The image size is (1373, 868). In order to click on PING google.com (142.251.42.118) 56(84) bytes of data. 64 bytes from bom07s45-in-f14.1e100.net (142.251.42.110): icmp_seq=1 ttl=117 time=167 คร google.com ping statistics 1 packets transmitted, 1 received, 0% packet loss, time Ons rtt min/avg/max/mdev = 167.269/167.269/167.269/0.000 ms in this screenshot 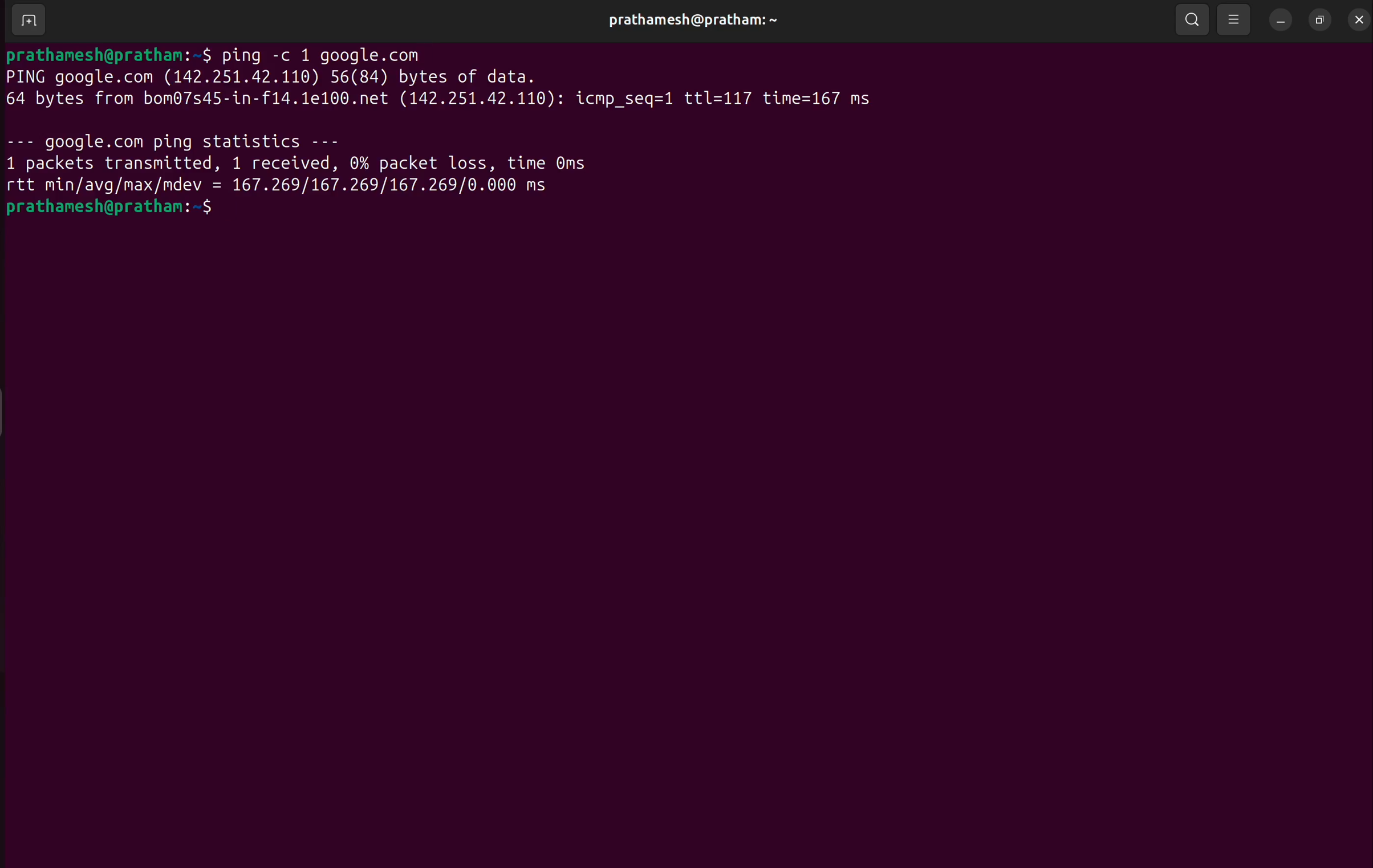, I will do `click(595, 131)`.